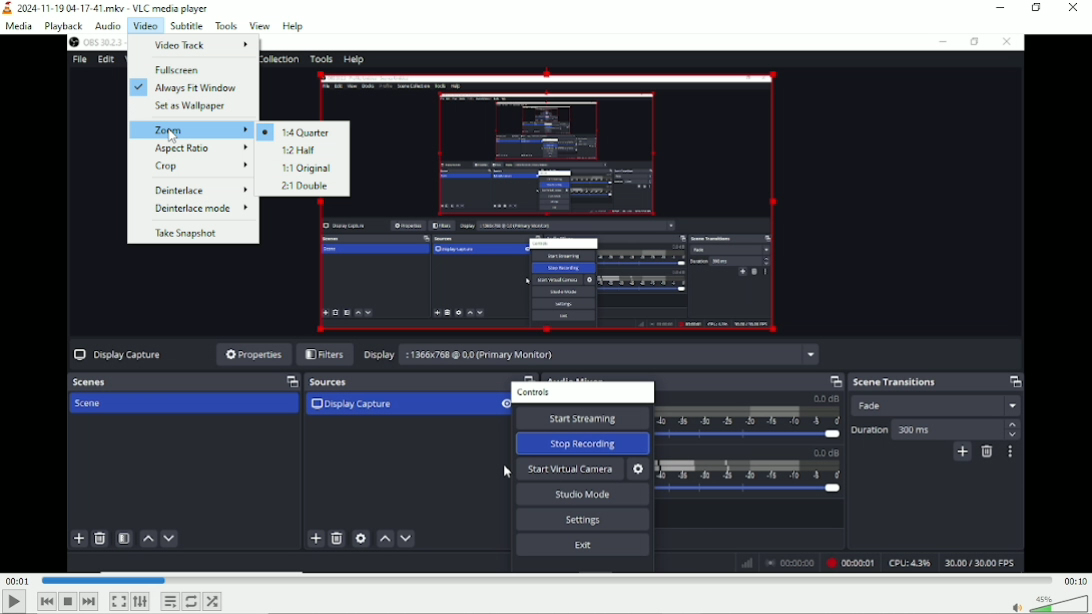 The height and width of the screenshot is (614, 1092). What do you see at coordinates (107, 8) in the screenshot?
I see `title` at bounding box center [107, 8].